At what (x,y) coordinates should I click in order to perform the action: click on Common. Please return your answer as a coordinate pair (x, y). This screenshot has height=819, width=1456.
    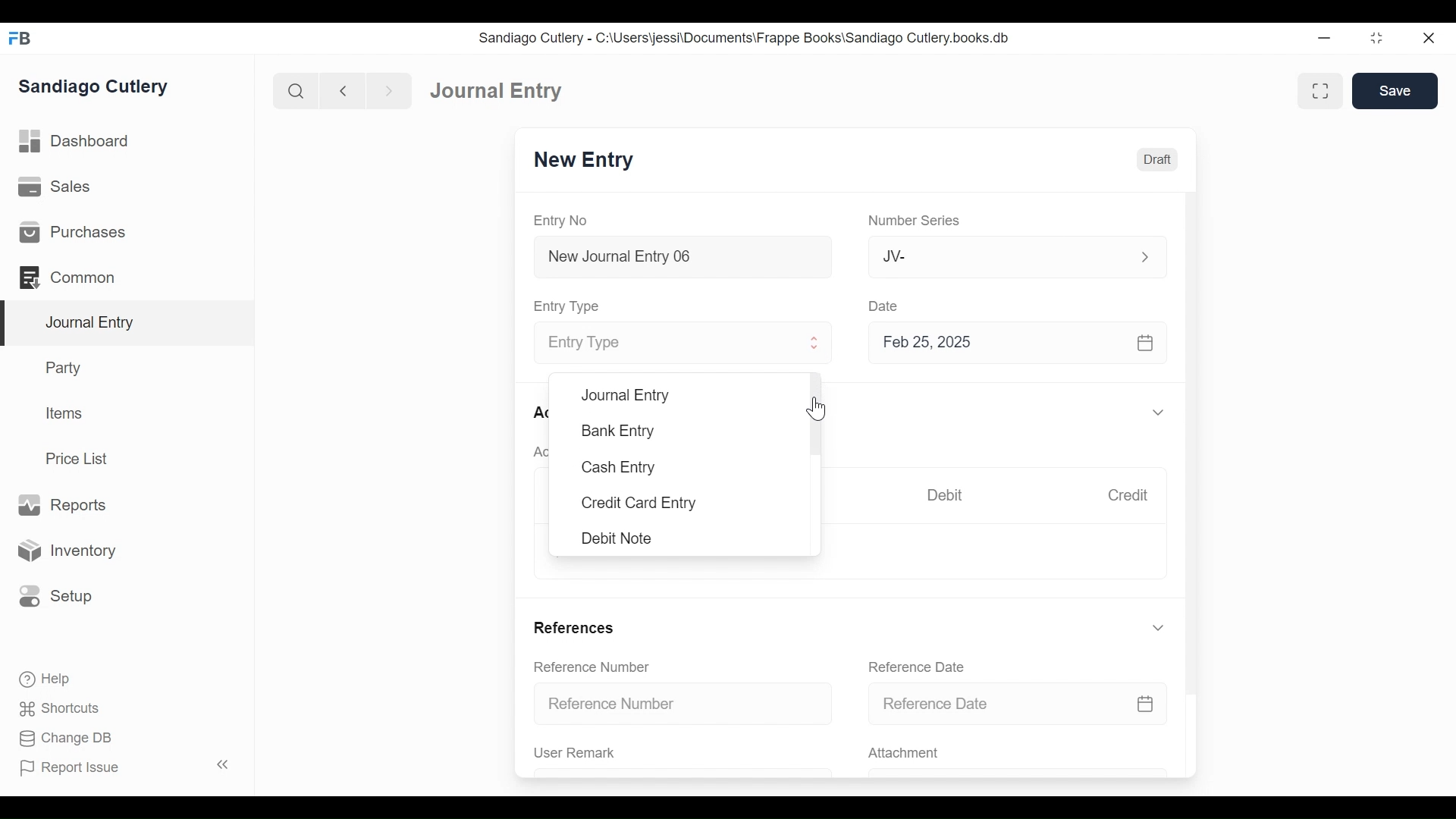
    Looking at the image, I should click on (75, 278).